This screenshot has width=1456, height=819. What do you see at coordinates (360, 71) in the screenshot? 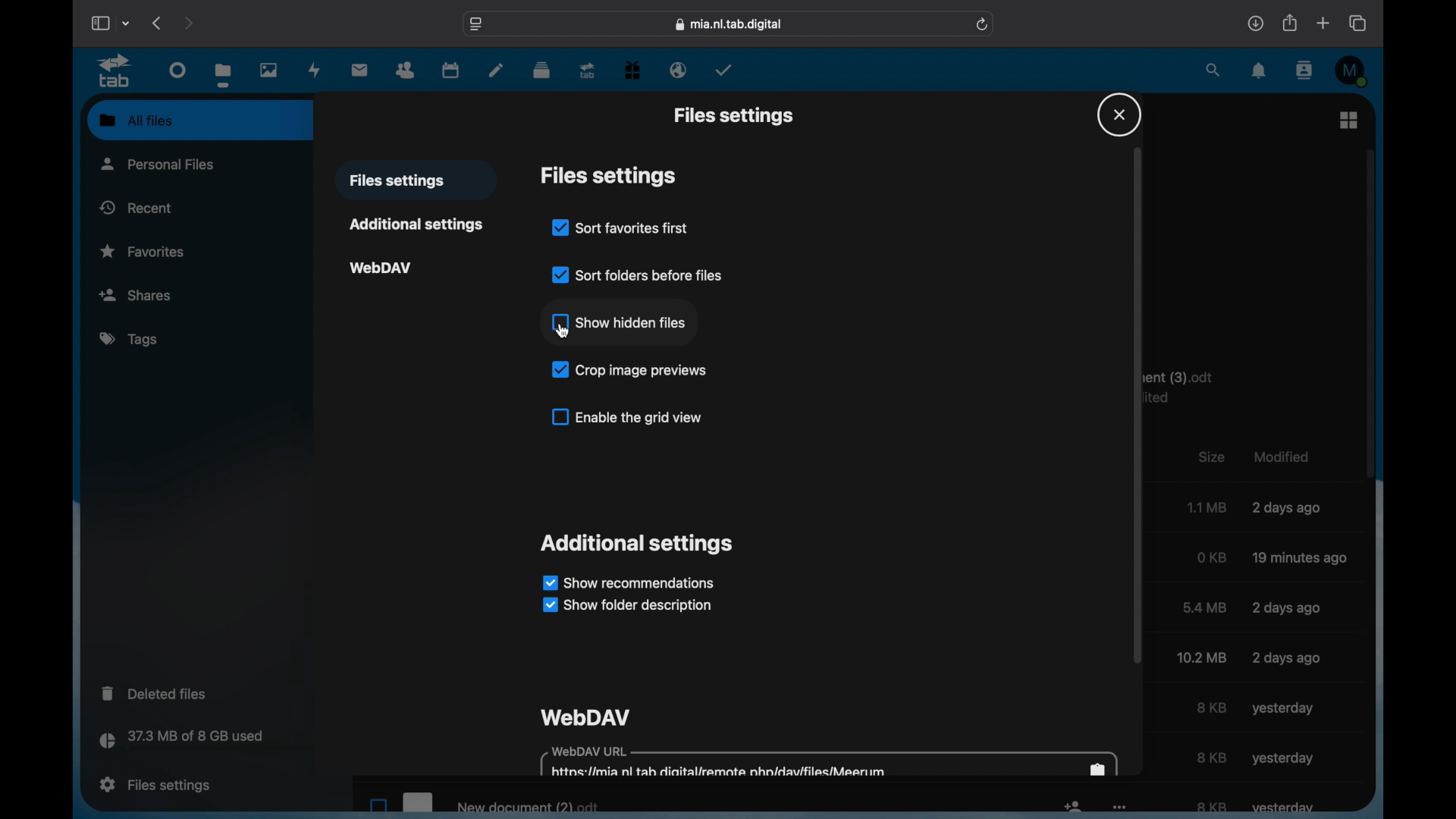
I see `mail` at bounding box center [360, 71].